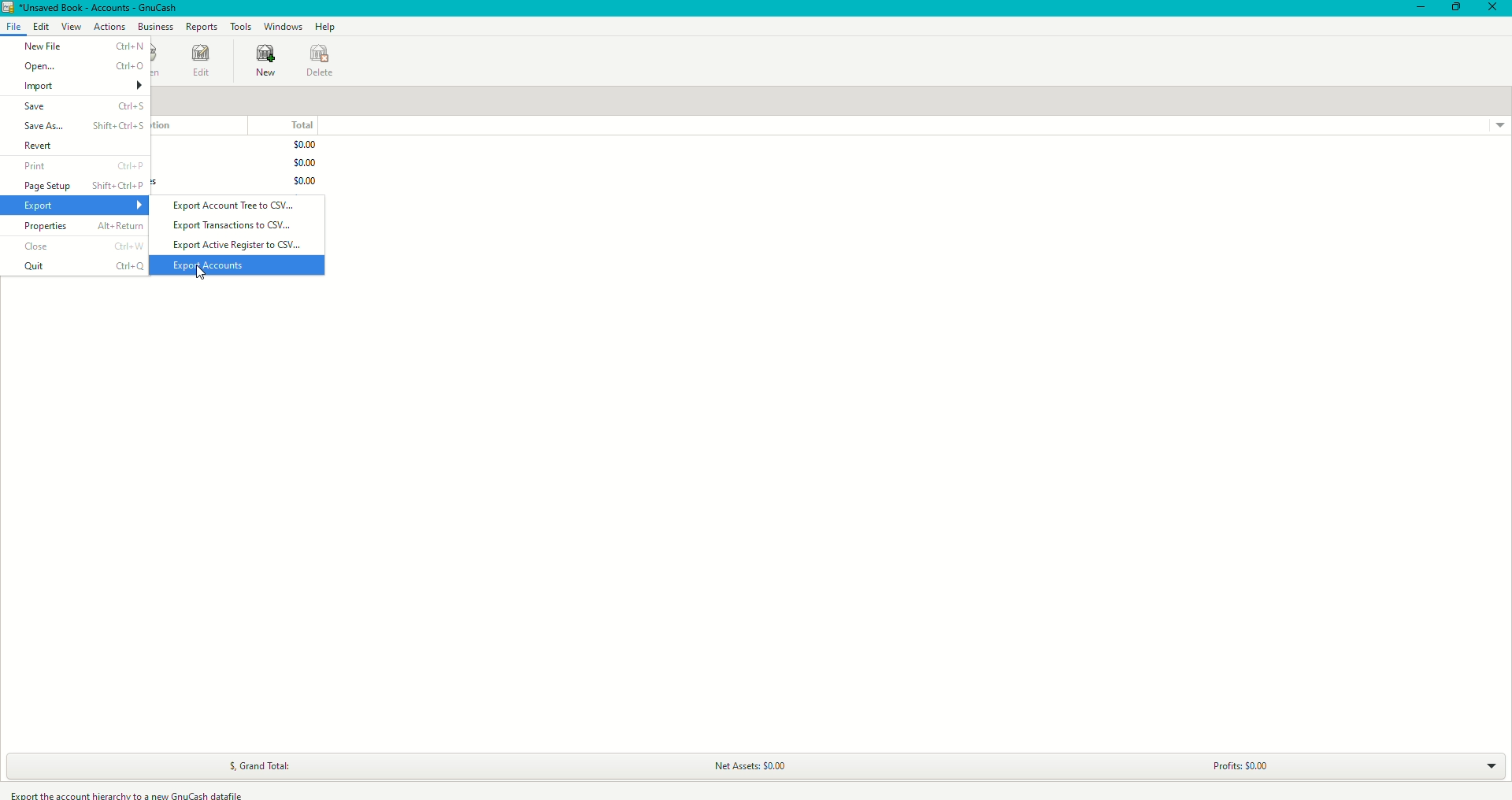 The height and width of the screenshot is (800, 1512). What do you see at coordinates (83, 167) in the screenshot?
I see `Print` at bounding box center [83, 167].